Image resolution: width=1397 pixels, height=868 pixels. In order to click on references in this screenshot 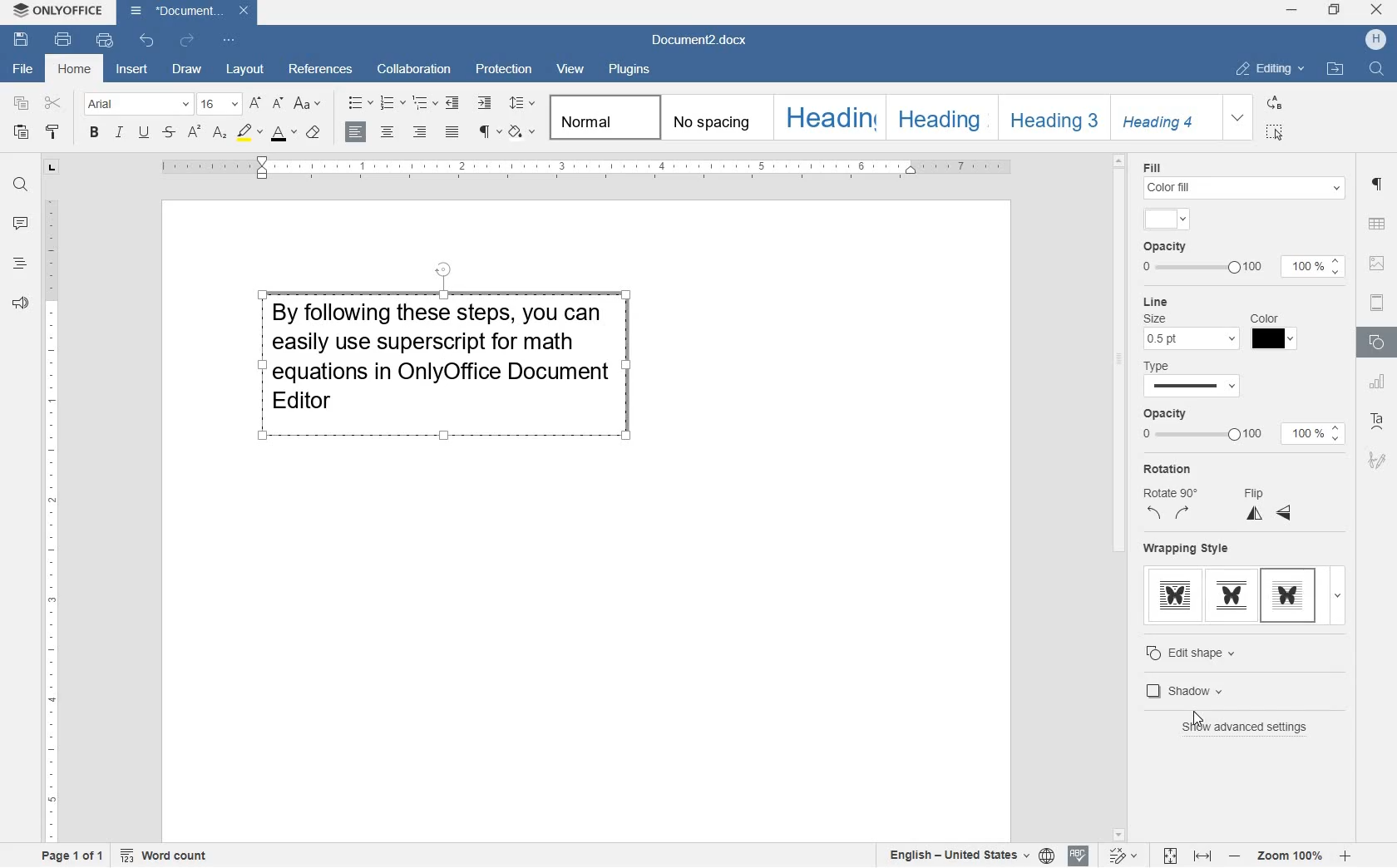, I will do `click(321, 72)`.